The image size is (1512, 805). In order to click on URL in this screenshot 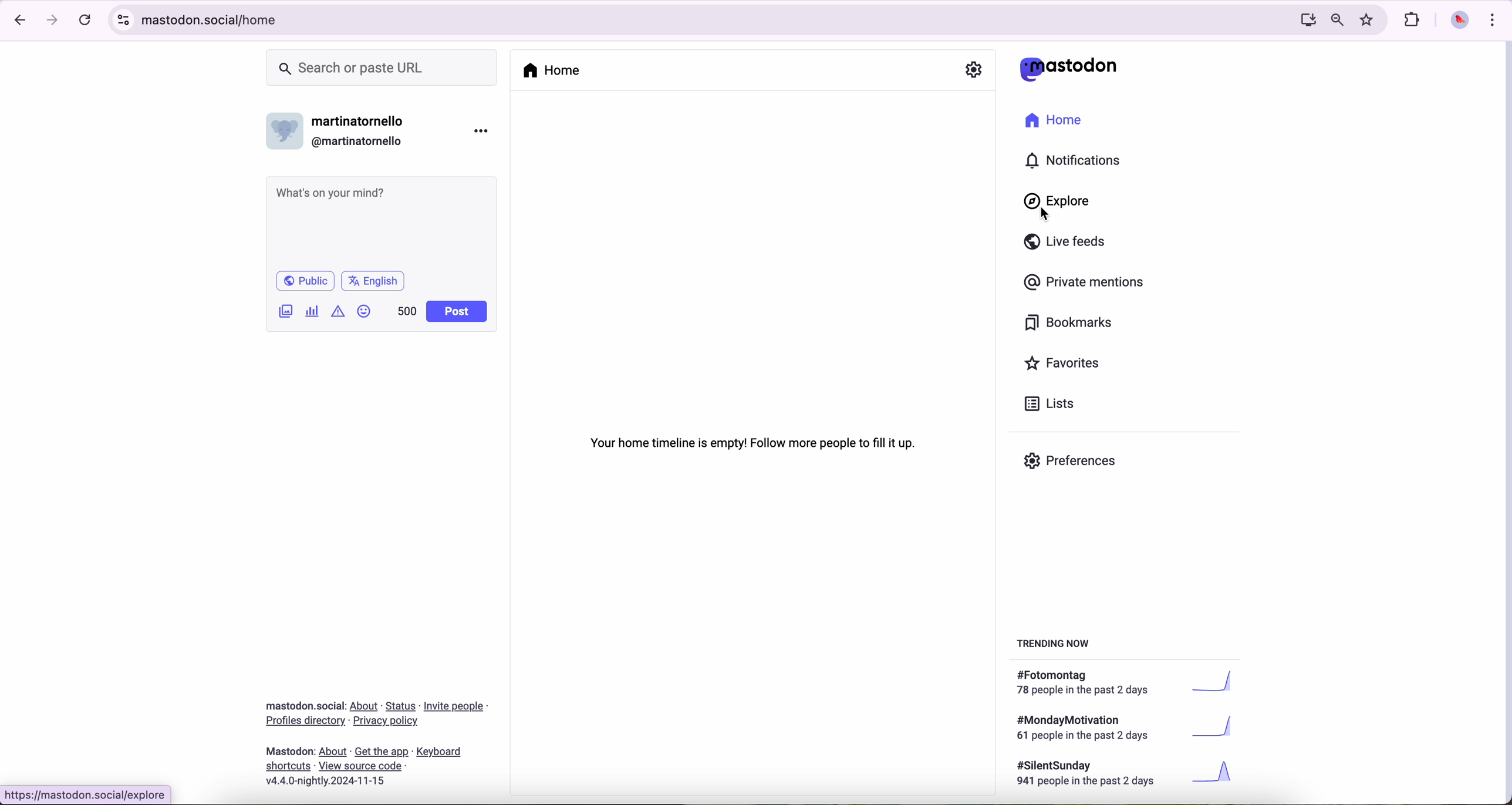, I will do `click(88, 793)`.